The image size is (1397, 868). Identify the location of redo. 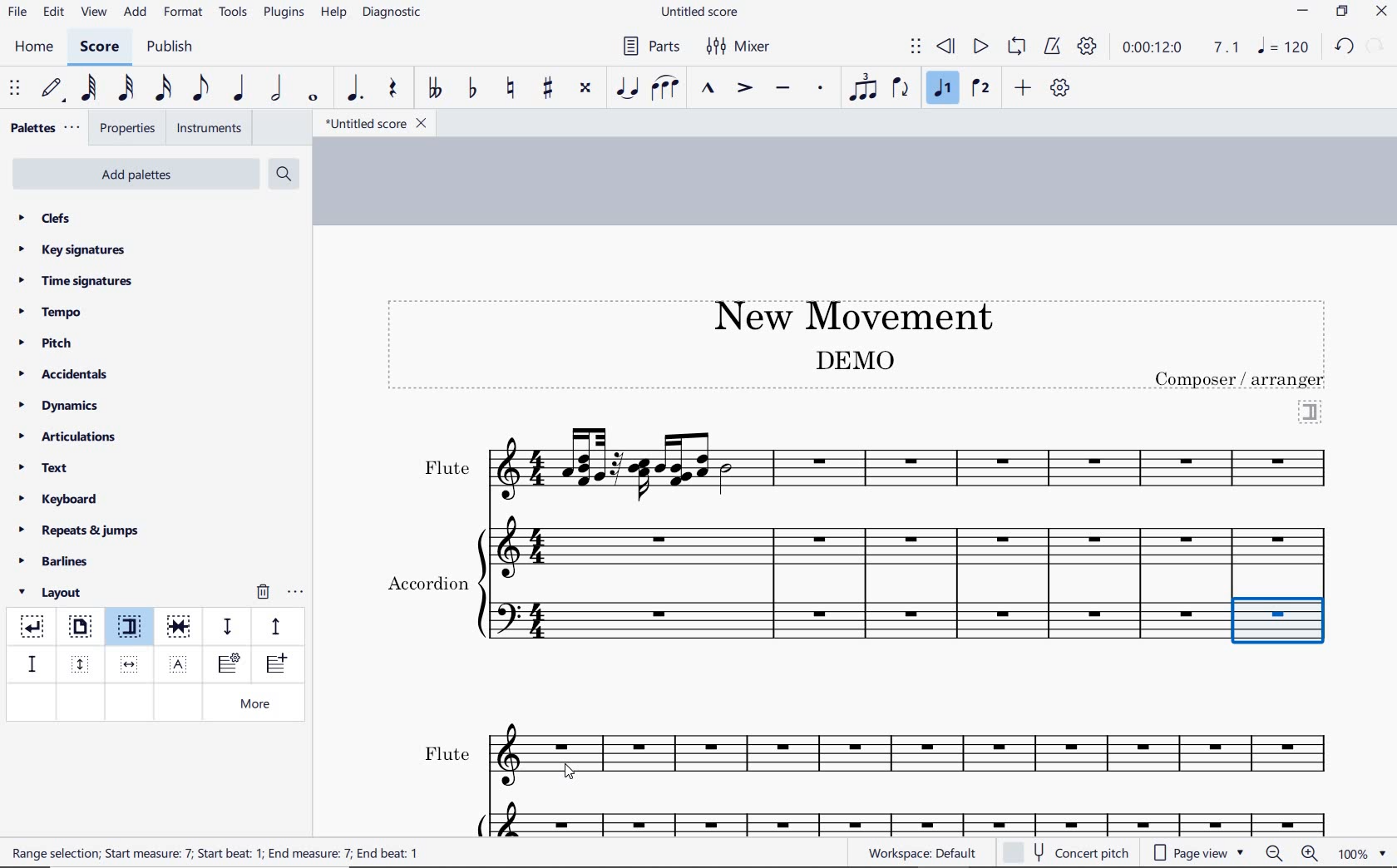
(1344, 46).